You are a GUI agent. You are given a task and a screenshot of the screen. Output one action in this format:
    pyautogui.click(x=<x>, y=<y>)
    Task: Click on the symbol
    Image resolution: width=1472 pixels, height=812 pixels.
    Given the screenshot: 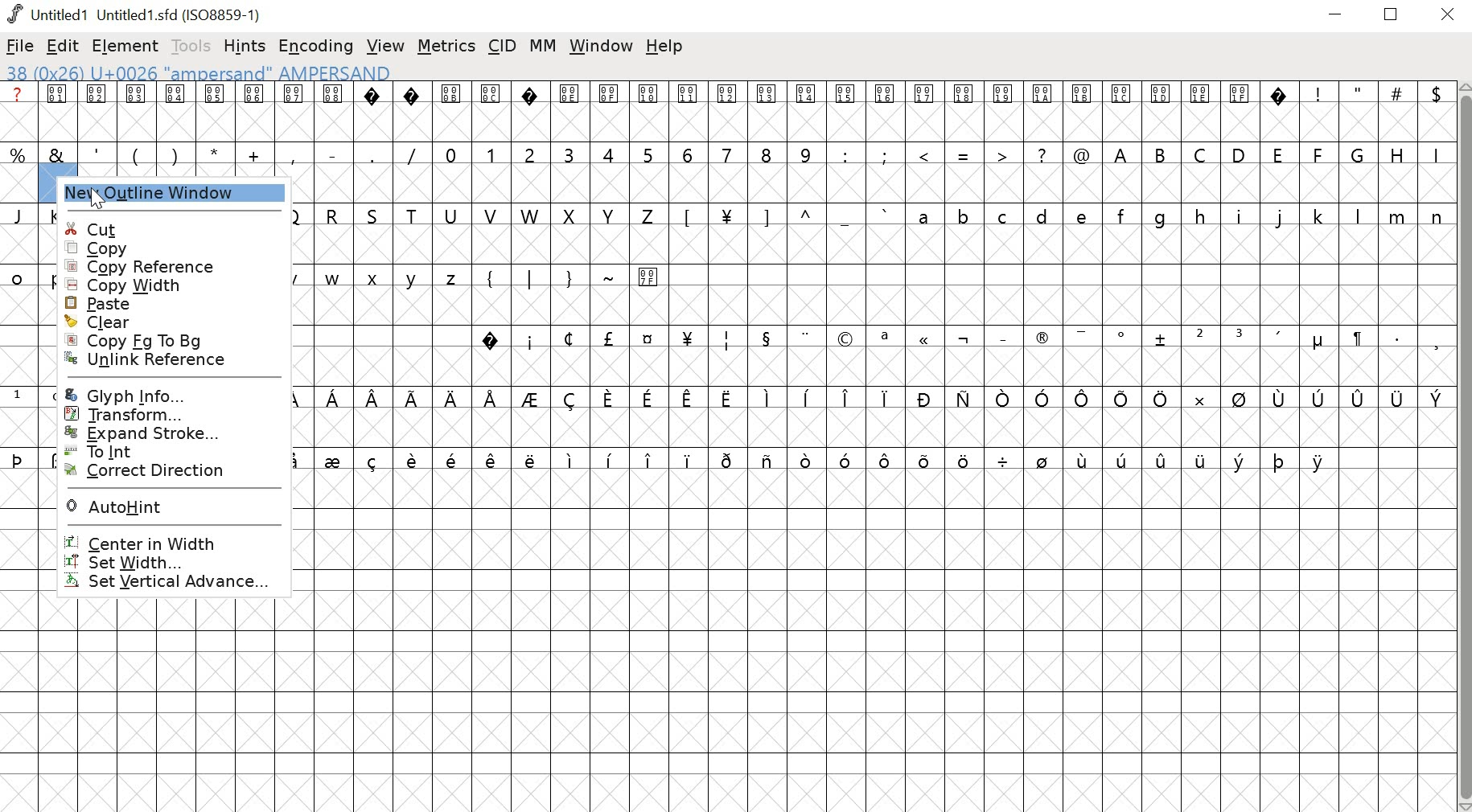 What is the action you would take?
    pyautogui.click(x=491, y=460)
    